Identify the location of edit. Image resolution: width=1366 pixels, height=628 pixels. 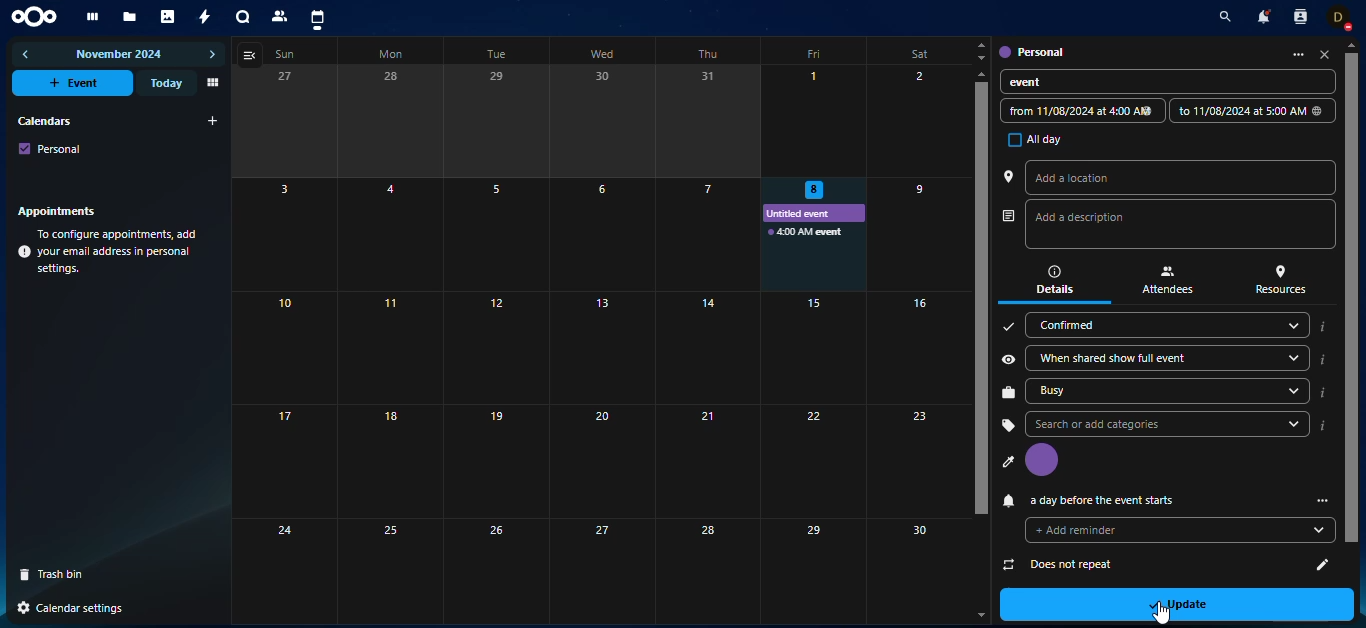
(1314, 532).